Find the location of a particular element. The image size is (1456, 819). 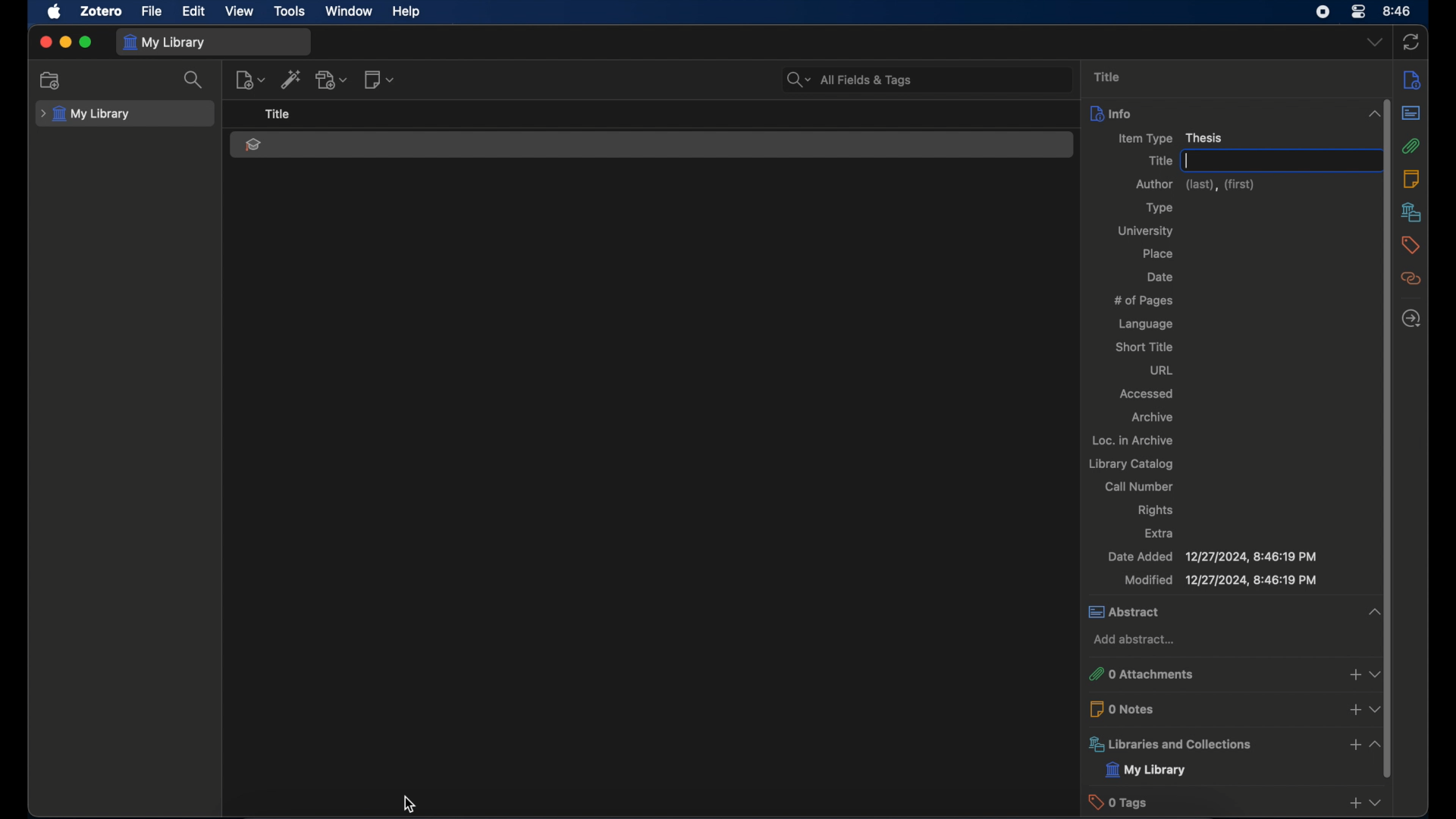

dropdown is located at coordinates (1375, 43).